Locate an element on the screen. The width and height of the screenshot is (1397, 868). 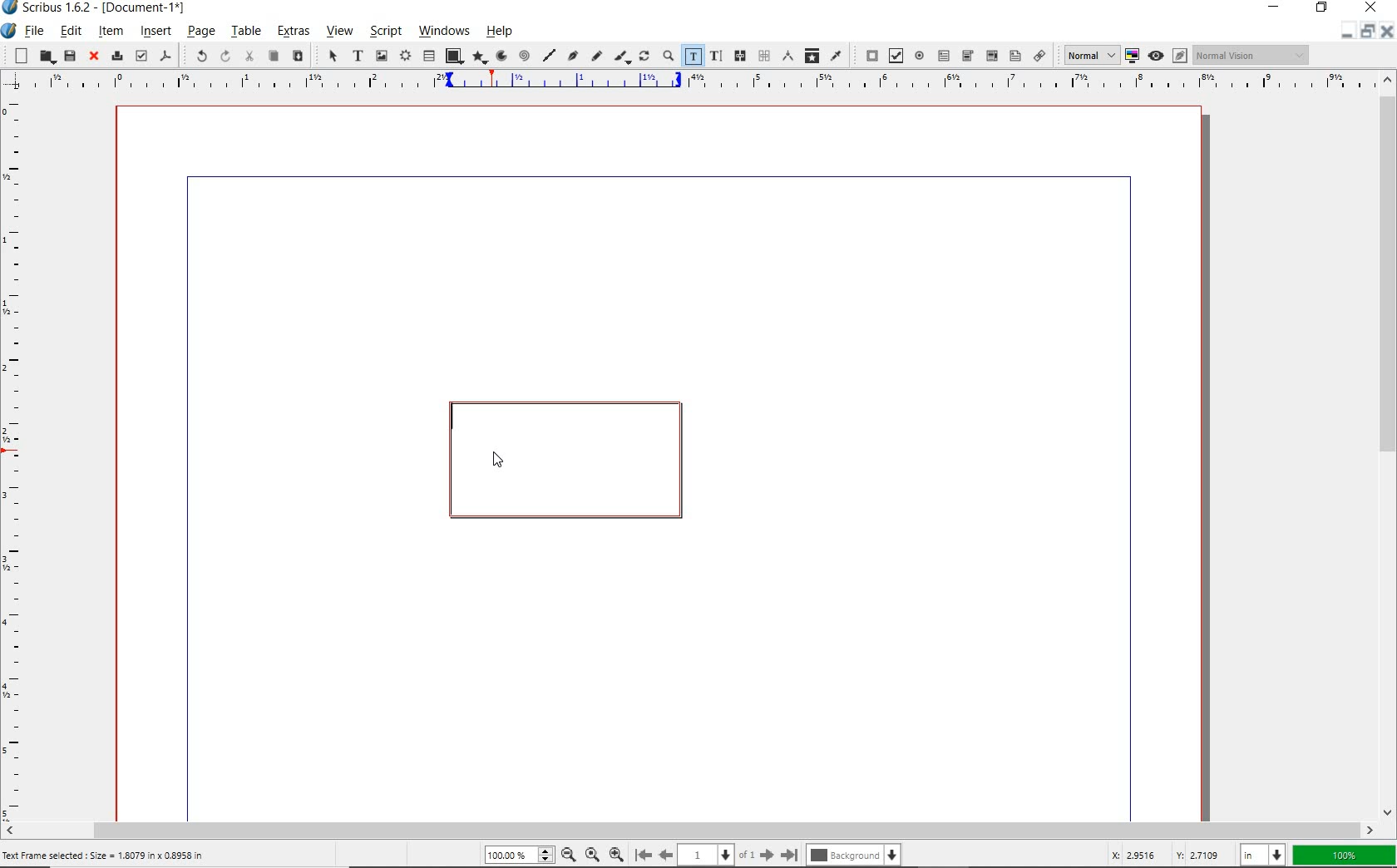
table is located at coordinates (428, 57).